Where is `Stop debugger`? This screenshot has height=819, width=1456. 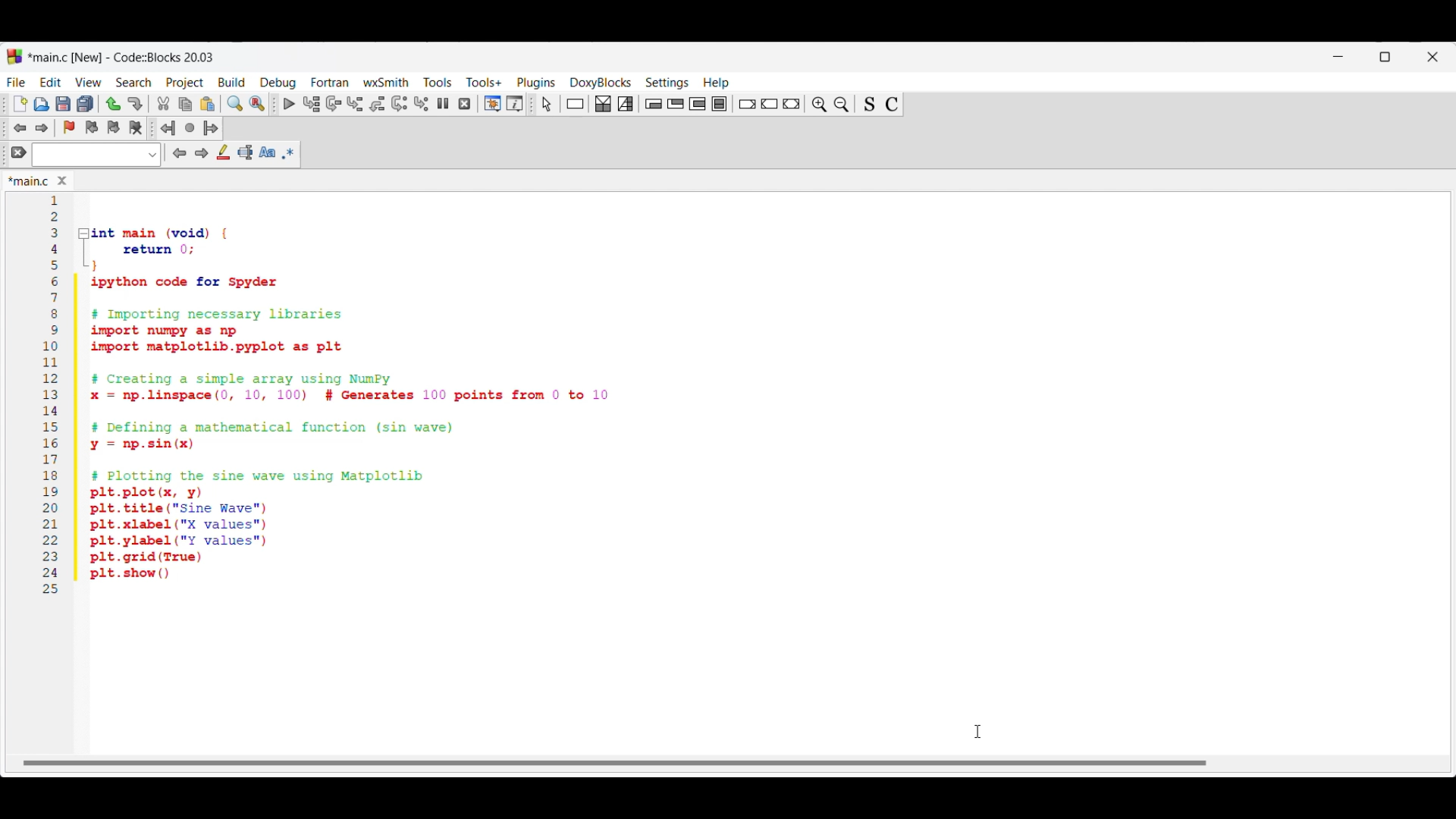 Stop debugger is located at coordinates (464, 104).